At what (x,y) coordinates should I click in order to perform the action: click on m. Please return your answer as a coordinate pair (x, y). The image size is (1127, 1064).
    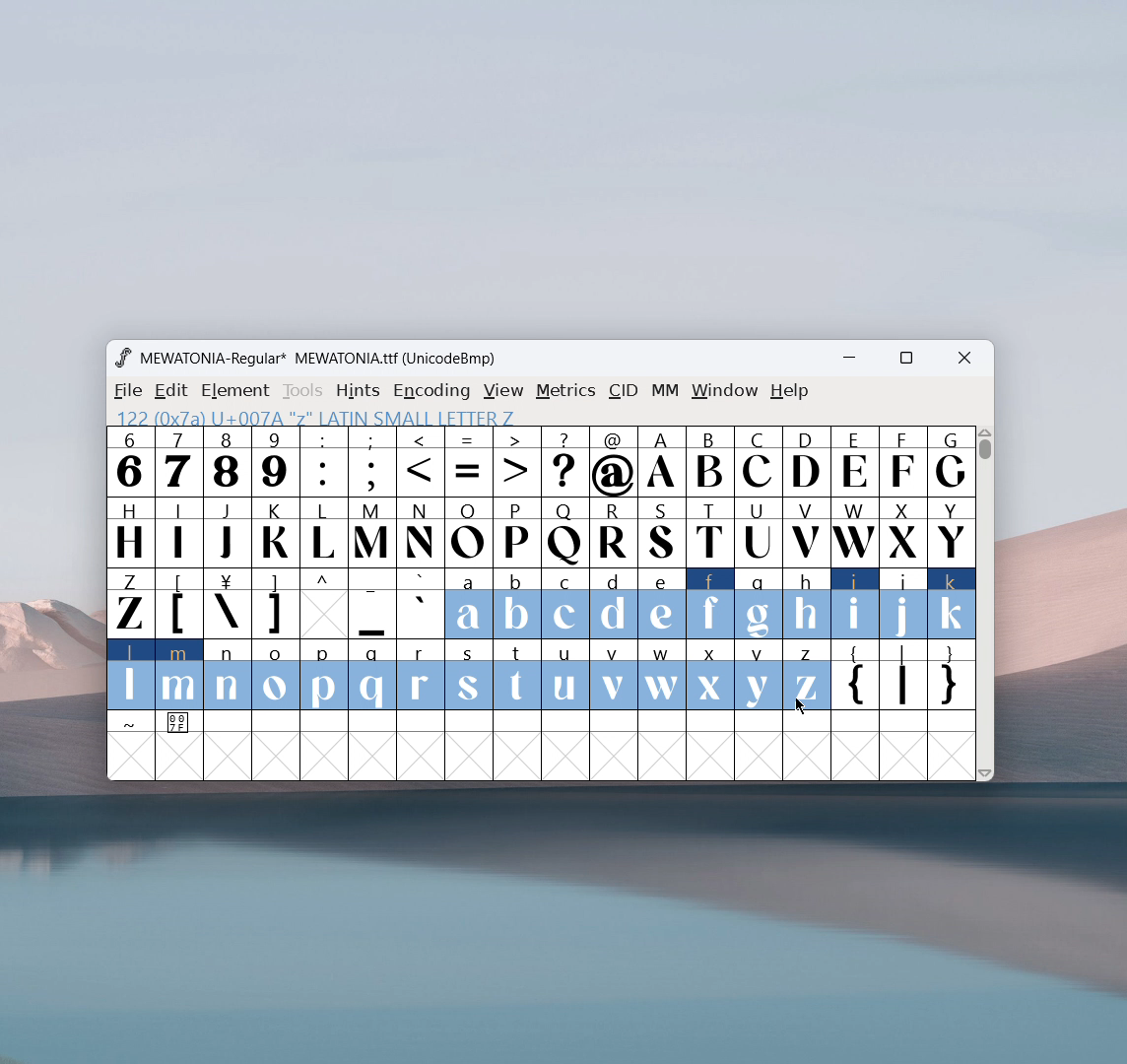
    Looking at the image, I should click on (179, 675).